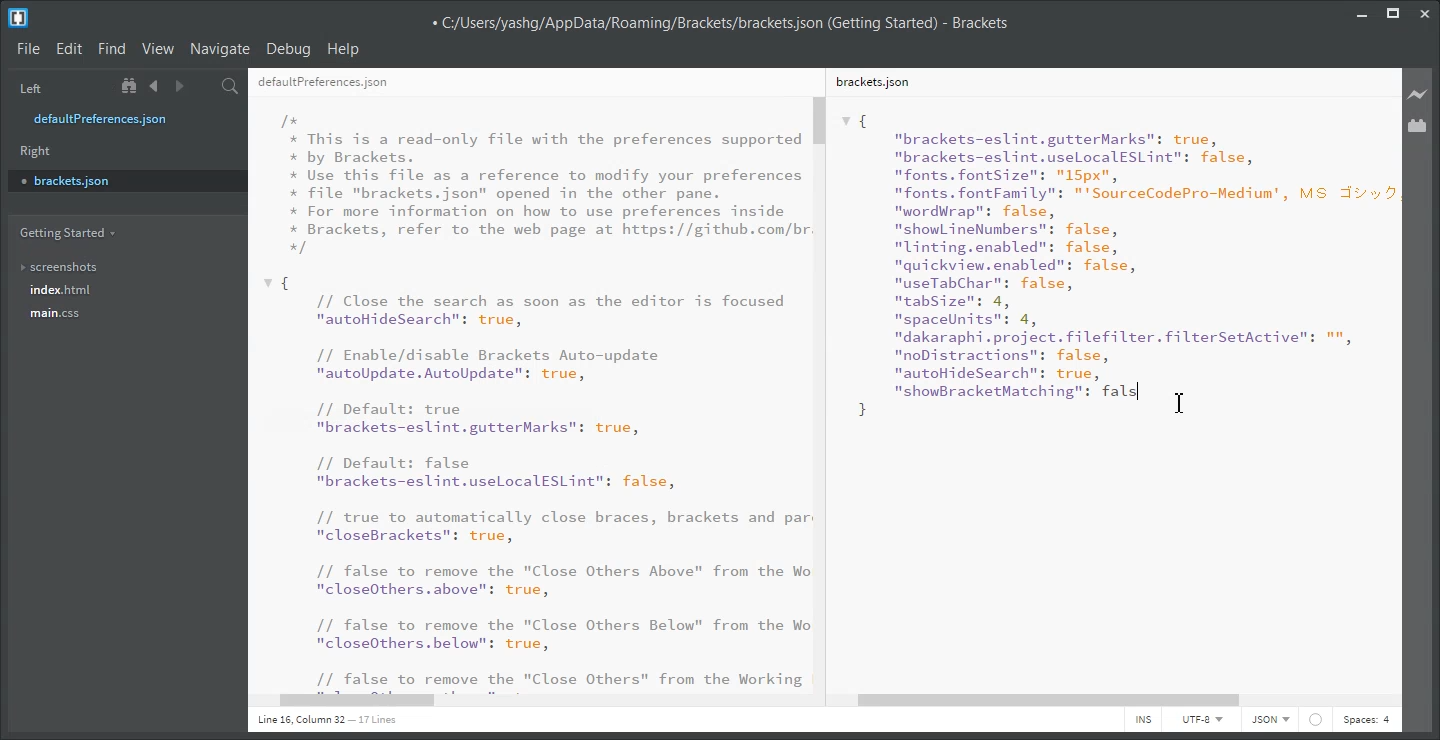  Describe the element at coordinates (60, 263) in the screenshot. I see `screenshots` at that location.